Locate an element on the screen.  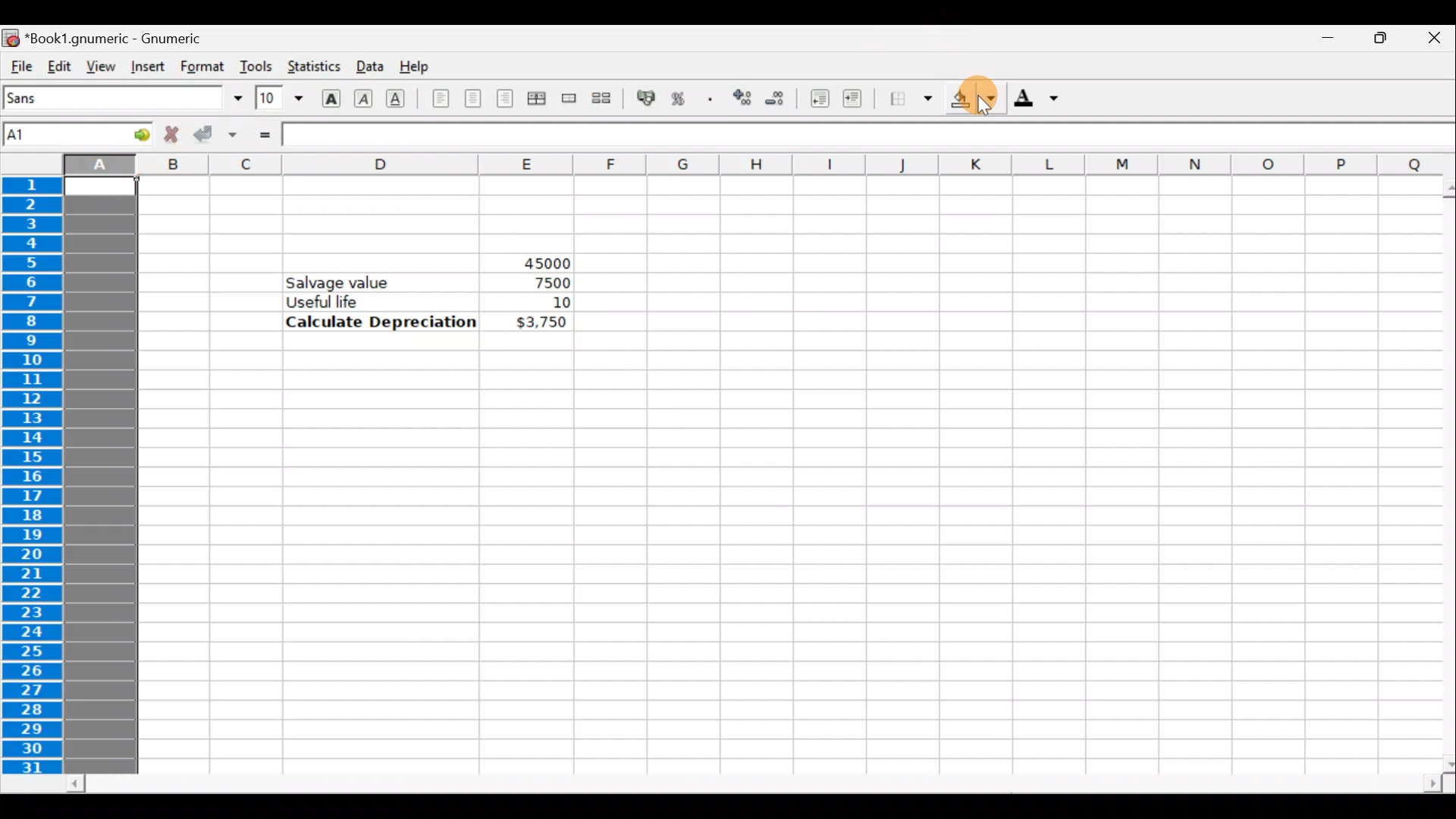
Foreground is located at coordinates (1041, 99).